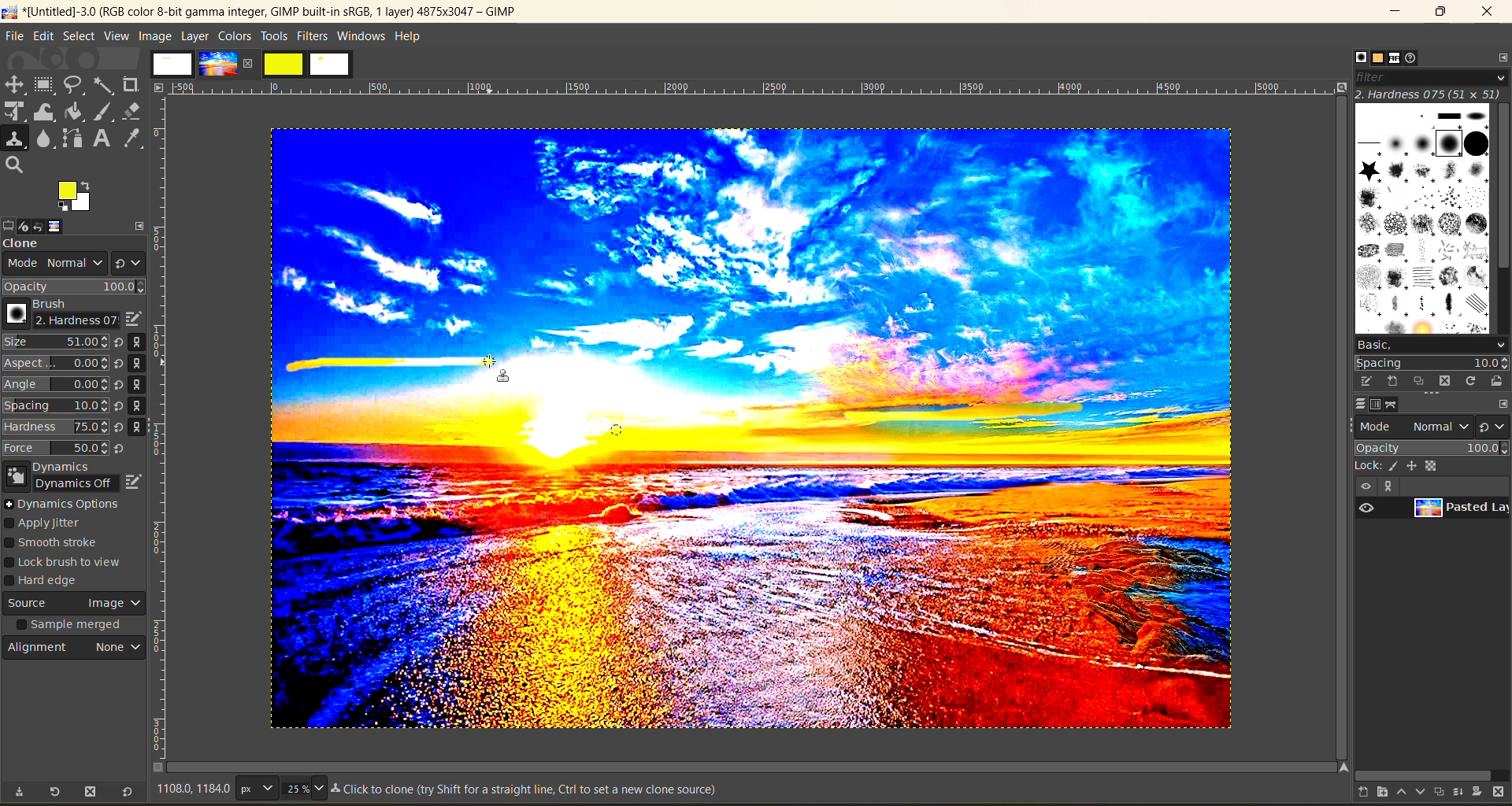 The image size is (1512, 806). I want to click on filters, so click(314, 35).